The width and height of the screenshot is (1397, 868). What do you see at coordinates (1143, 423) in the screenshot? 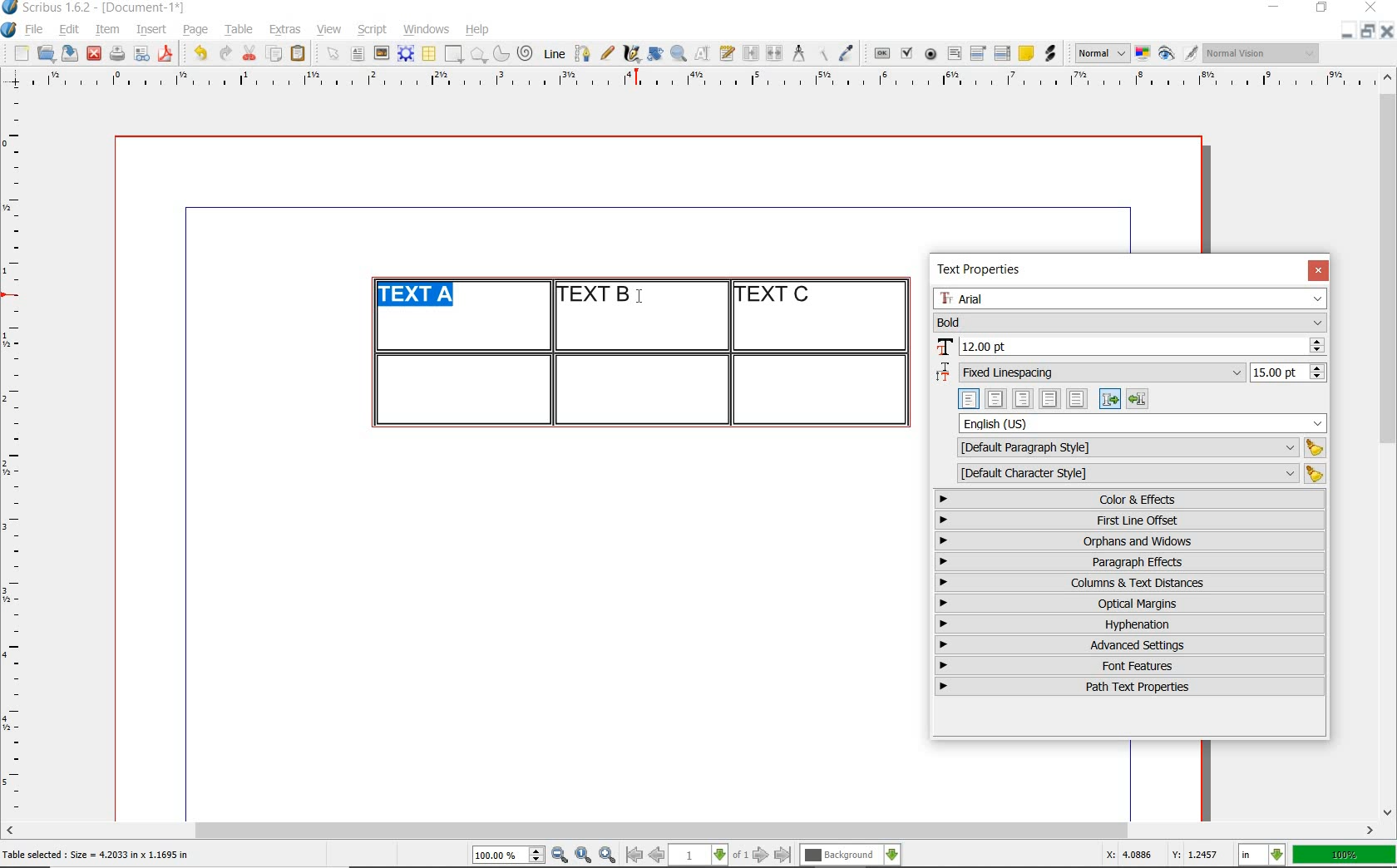
I see `text language` at bounding box center [1143, 423].